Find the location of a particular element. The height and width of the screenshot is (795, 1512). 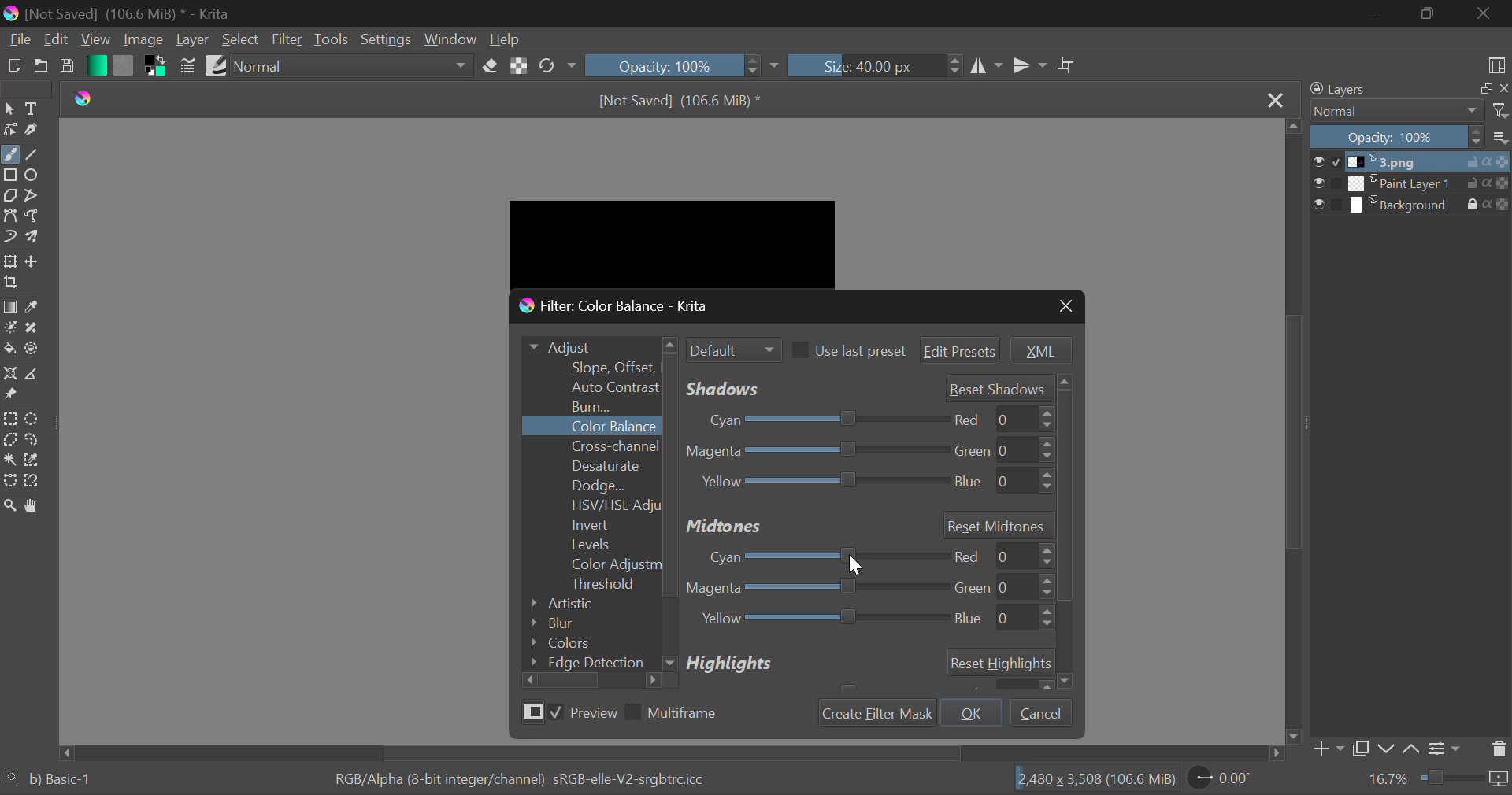

Circular Selection is located at coordinates (34, 417).